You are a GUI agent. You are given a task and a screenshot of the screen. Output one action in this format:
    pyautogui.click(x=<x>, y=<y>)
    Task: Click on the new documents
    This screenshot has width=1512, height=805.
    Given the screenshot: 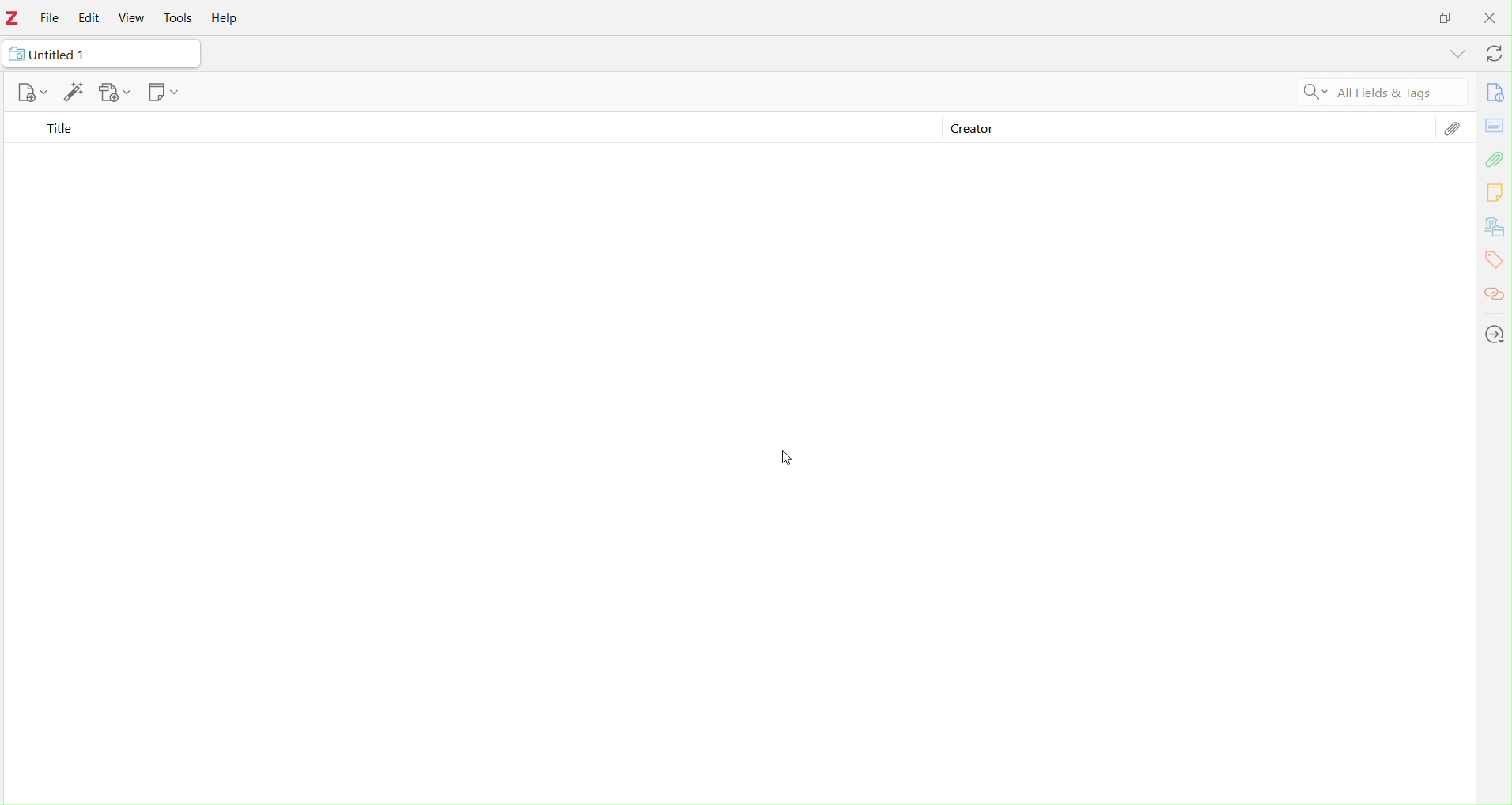 What is the action you would take?
    pyautogui.click(x=31, y=93)
    